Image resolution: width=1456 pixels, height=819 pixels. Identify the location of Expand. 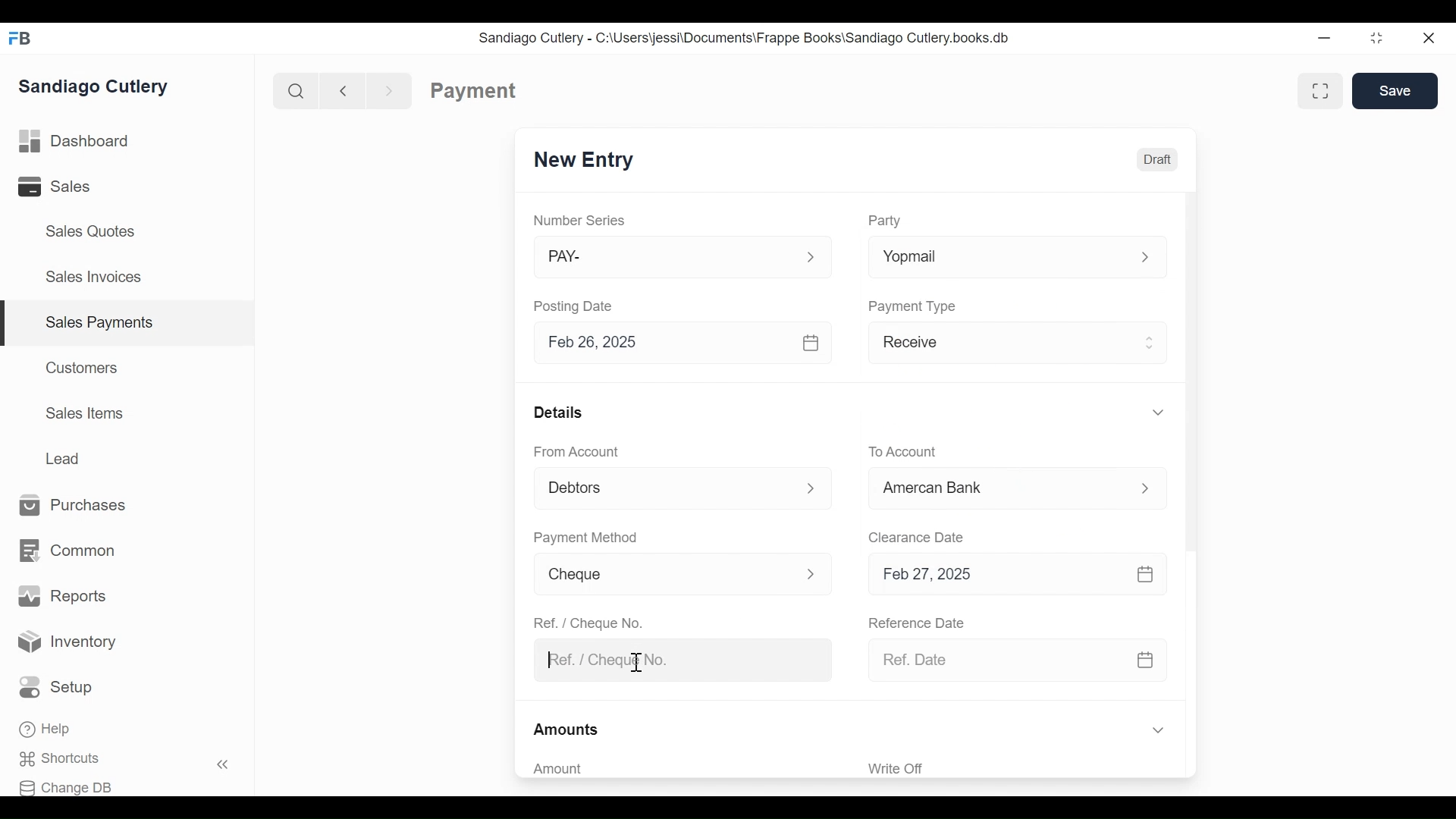
(1157, 731).